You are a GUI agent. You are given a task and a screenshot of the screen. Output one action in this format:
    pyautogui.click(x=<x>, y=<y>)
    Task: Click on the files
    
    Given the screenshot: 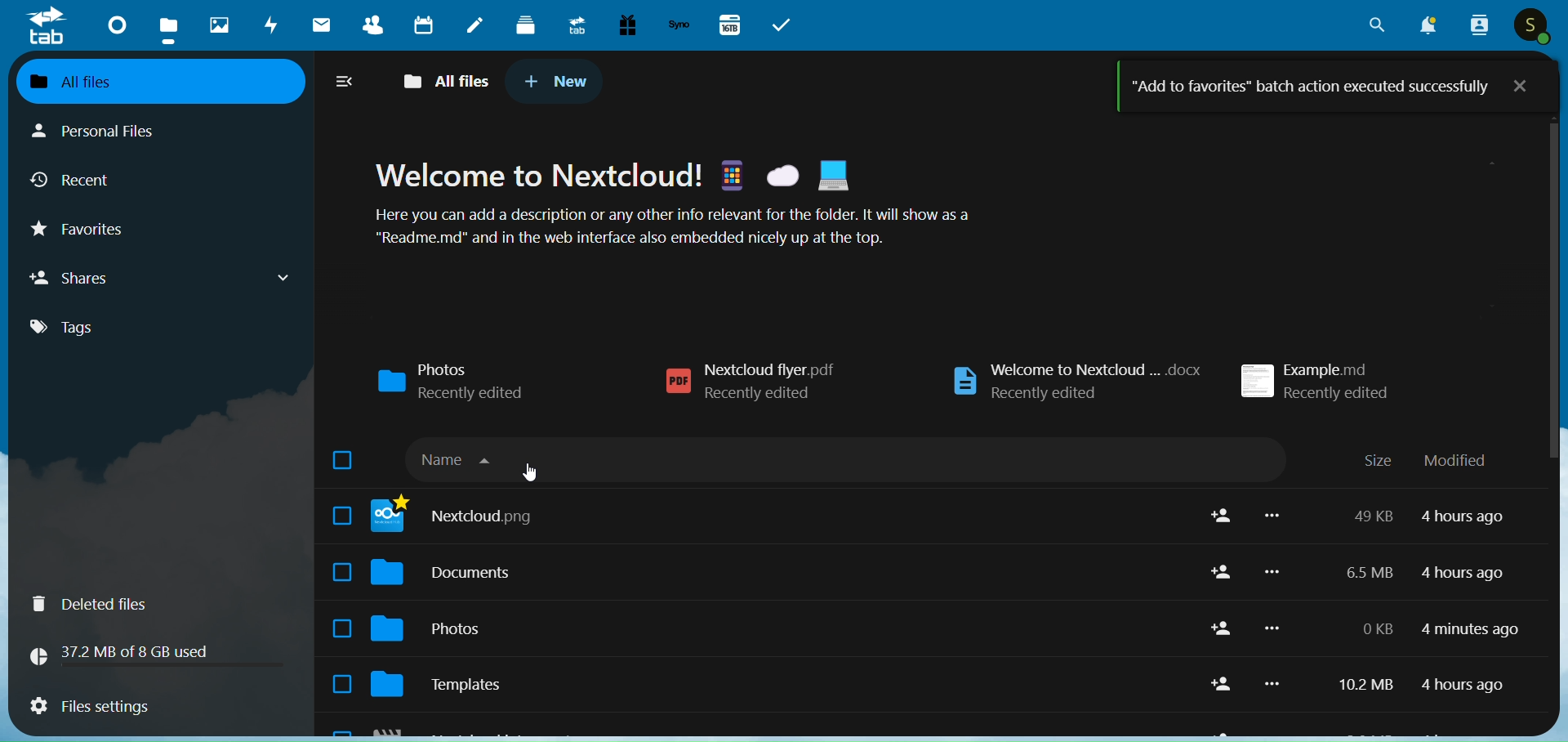 What is the action you would take?
    pyautogui.click(x=167, y=26)
    